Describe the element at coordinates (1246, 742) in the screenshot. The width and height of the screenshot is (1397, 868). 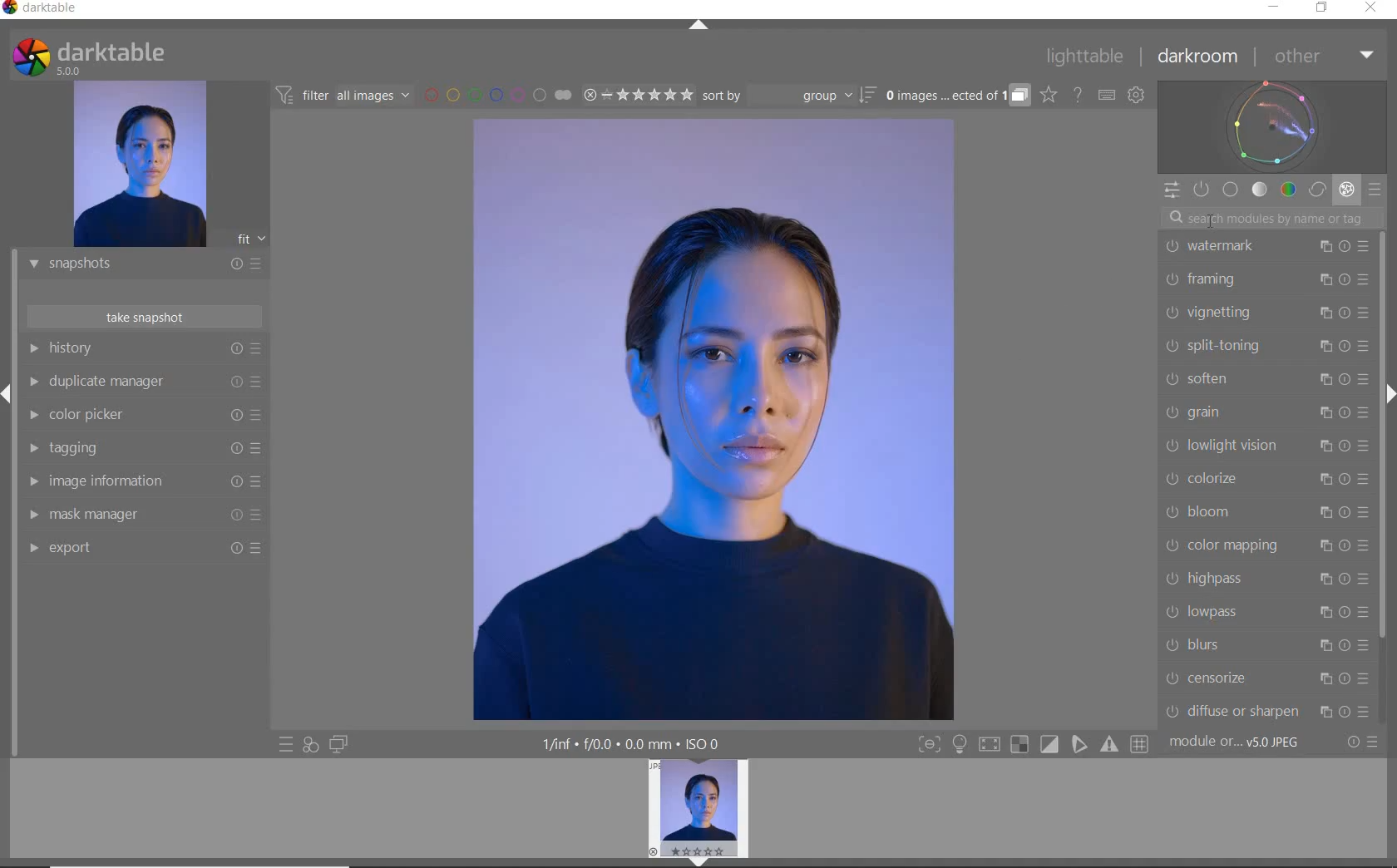
I see `MODULE...v5.0 JPEG` at that location.